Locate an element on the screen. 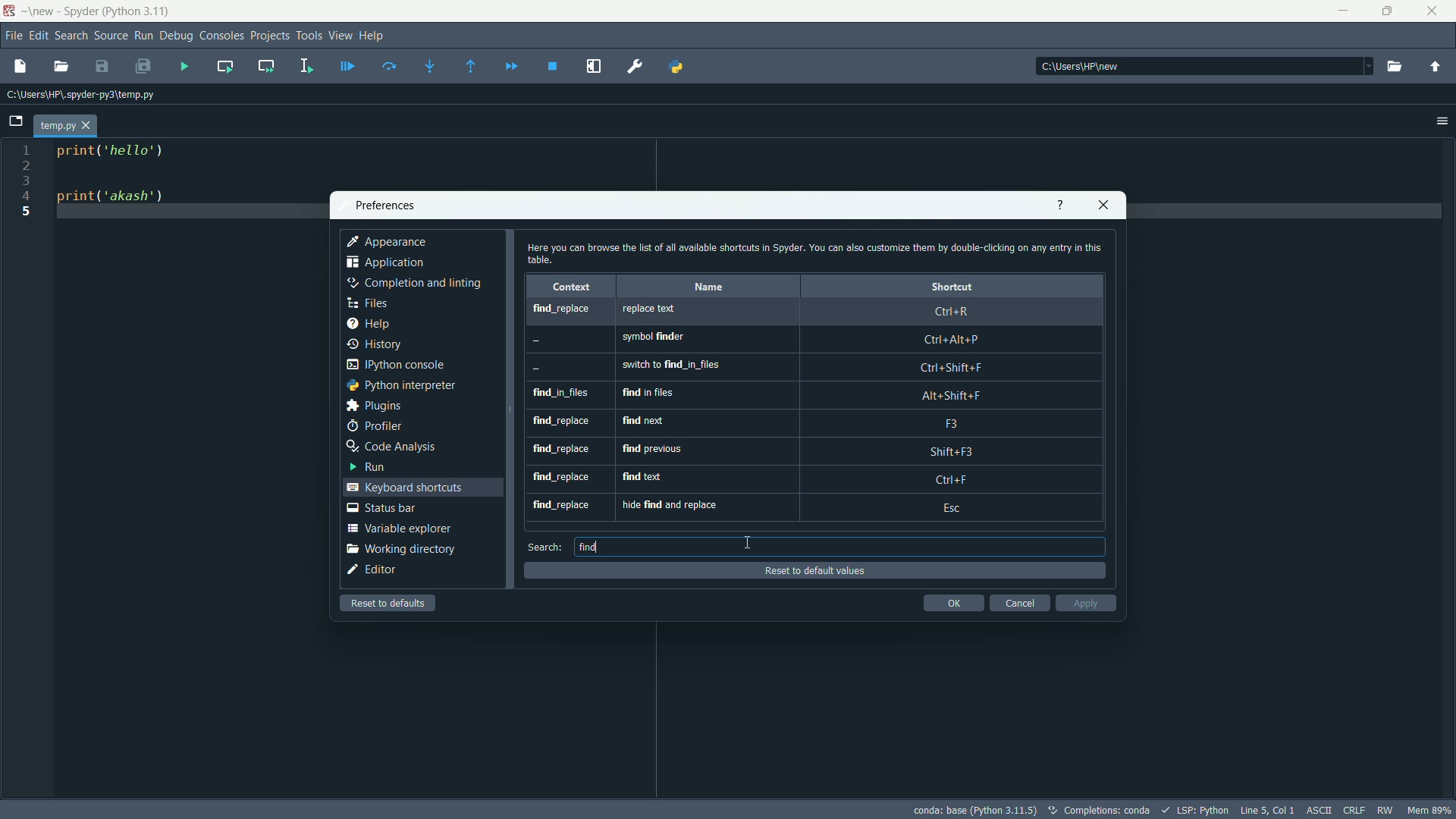 This screenshot has width=1456, height=819. file menu is located at coordinates (13, 35).